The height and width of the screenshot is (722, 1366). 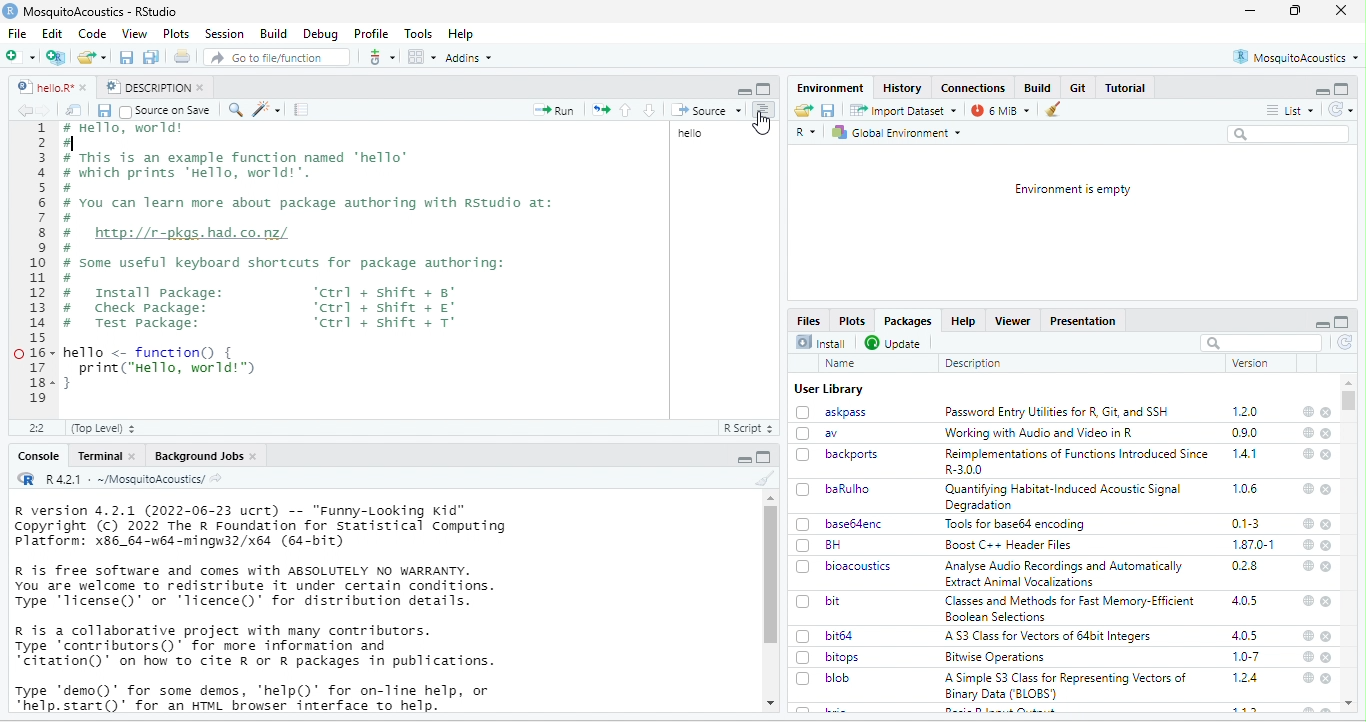 I want to click on Git, so click(x=1079, y=88).